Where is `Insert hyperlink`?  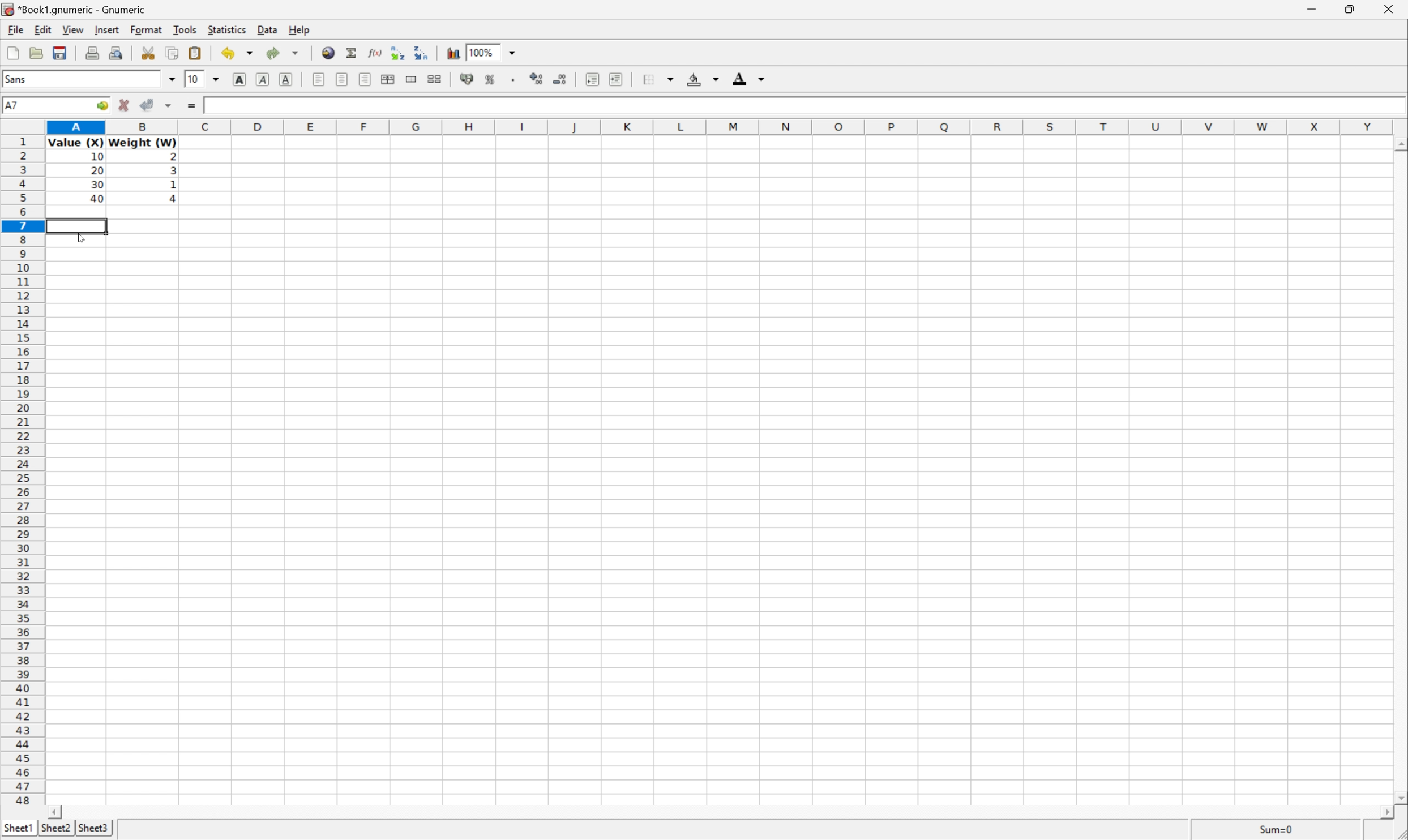
Insert hyperlink is located at coordinates (330, 52).